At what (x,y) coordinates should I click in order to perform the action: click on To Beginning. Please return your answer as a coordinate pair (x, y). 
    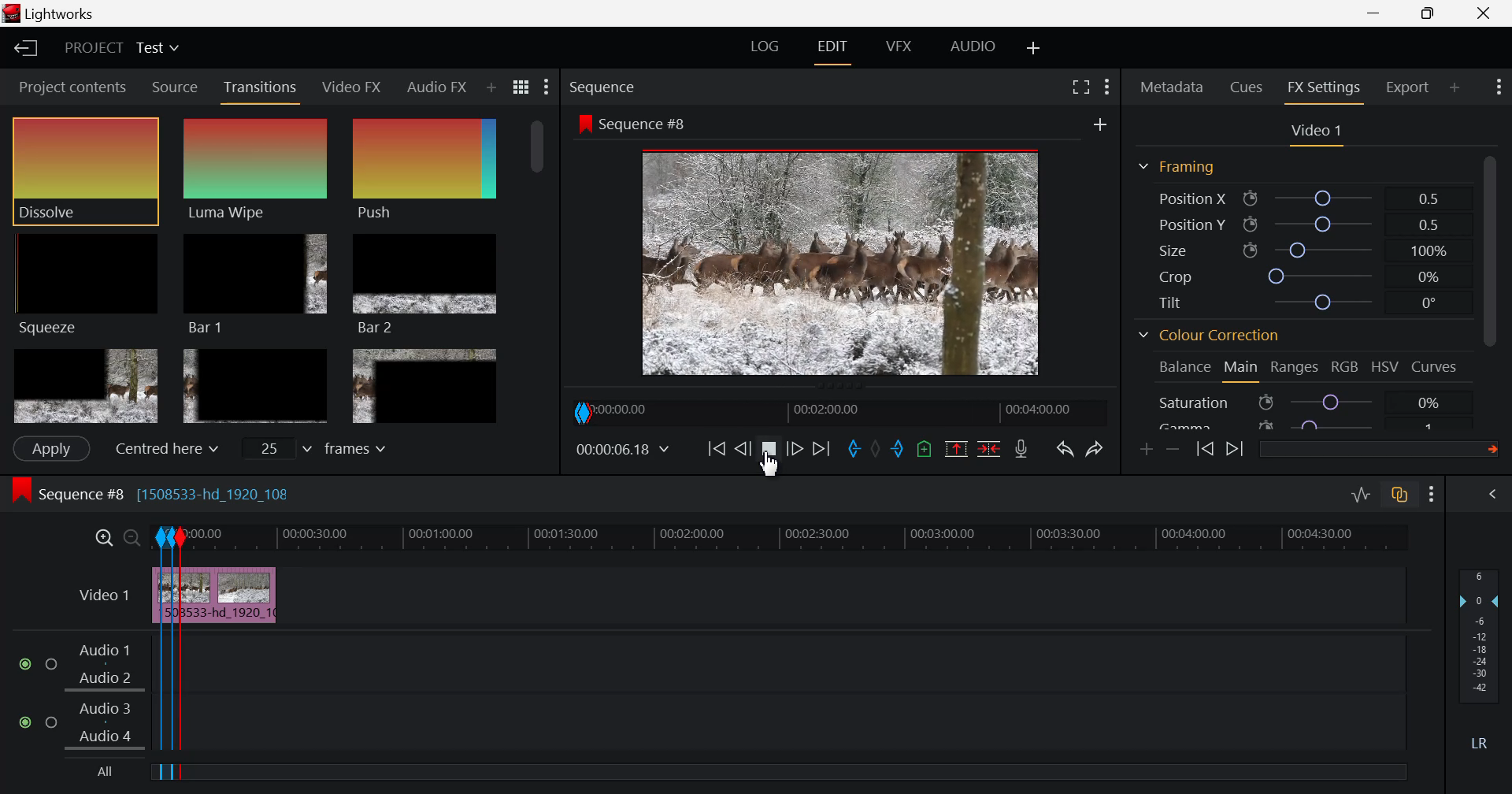
    Looking at the image, I should click on (714, 450).